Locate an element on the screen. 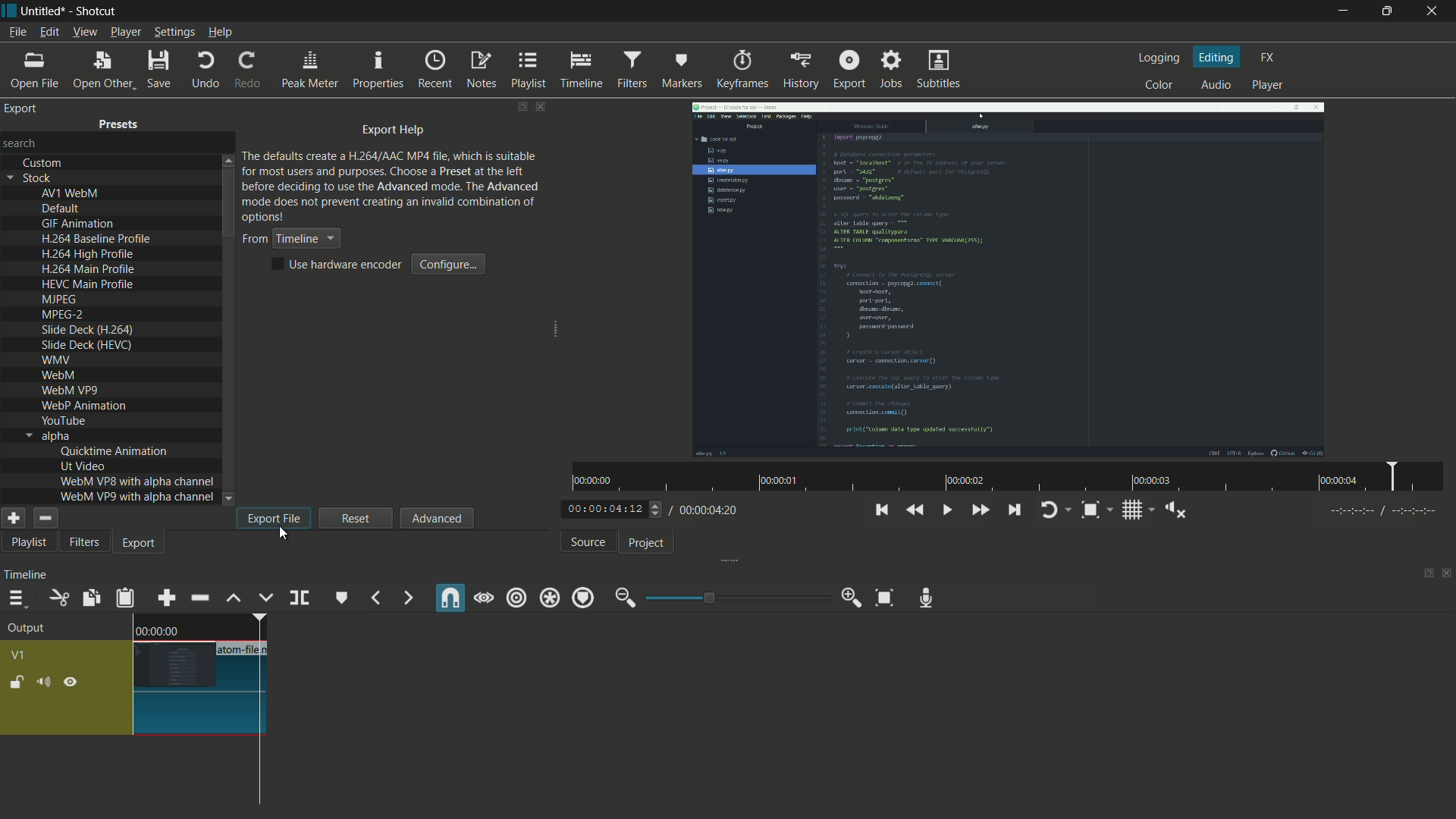 The image size is (1456, 819). app icon is located at coordinates (9, 10).